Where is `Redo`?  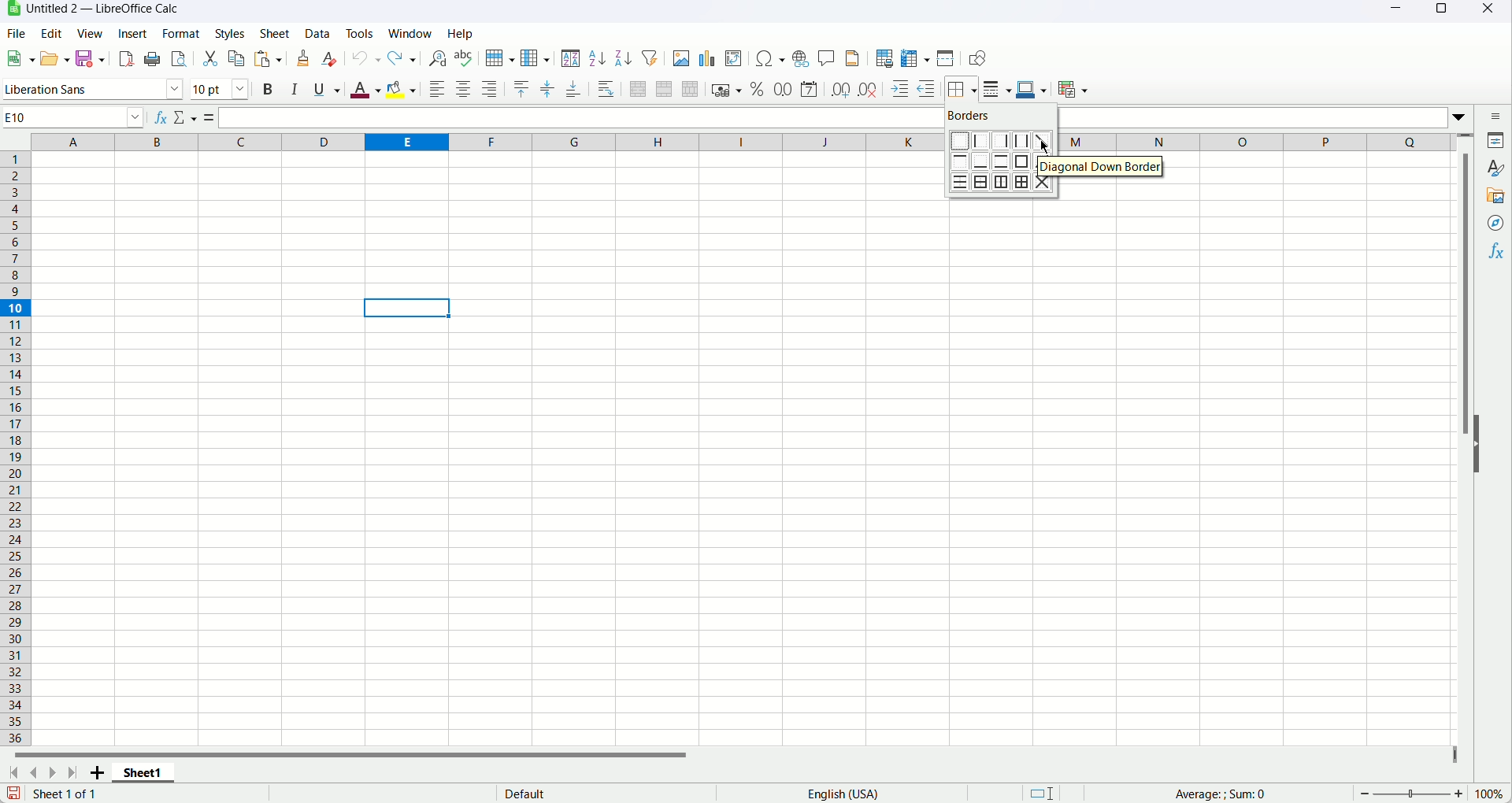 Redo is located at coordinates (404, 58).